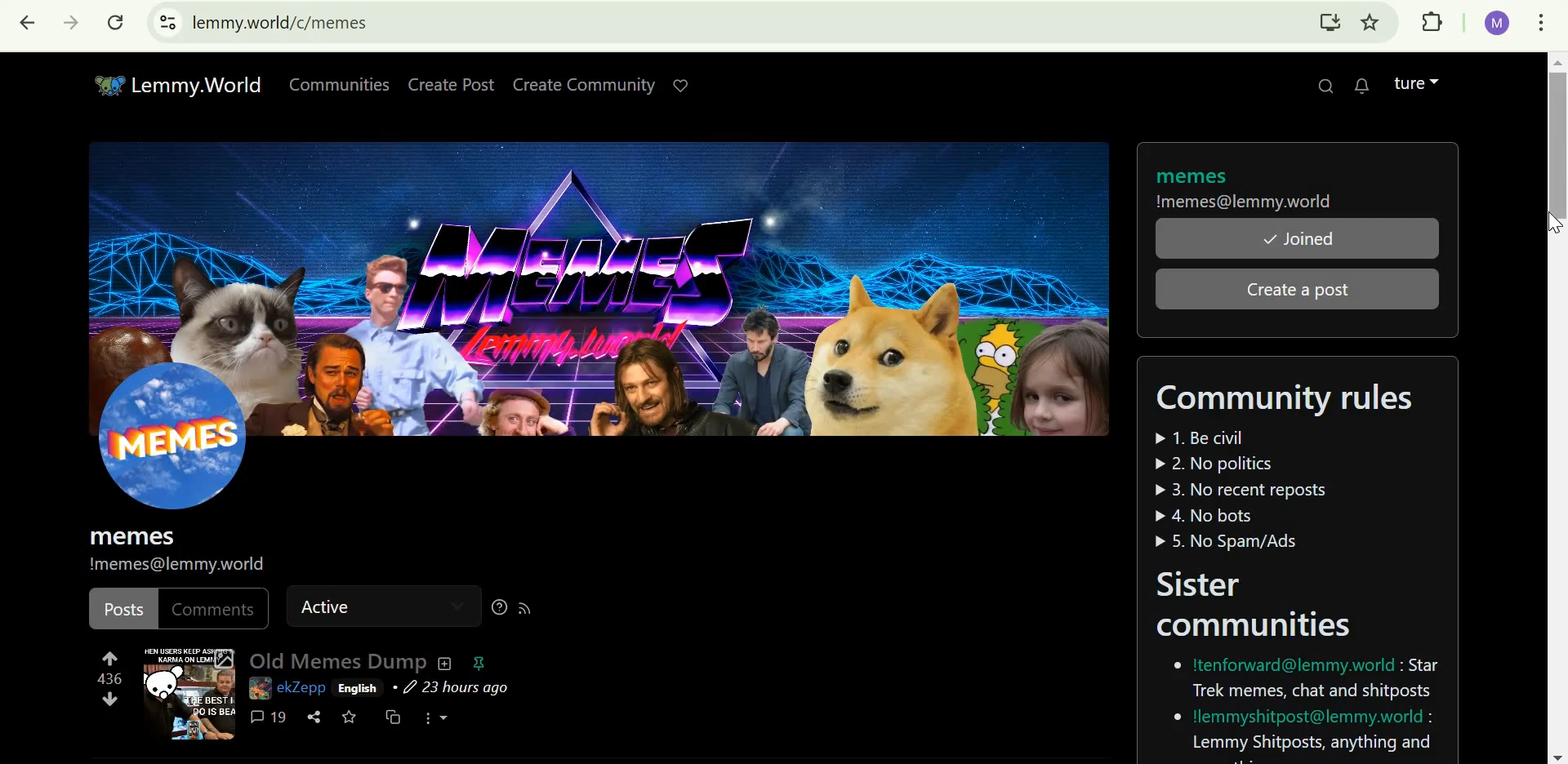 The height and width of the screenshot is (764, 1568). What do you see at coordinates (528, 608) in the screenshot?
I see `RSS` at bounding box center [528, 608].